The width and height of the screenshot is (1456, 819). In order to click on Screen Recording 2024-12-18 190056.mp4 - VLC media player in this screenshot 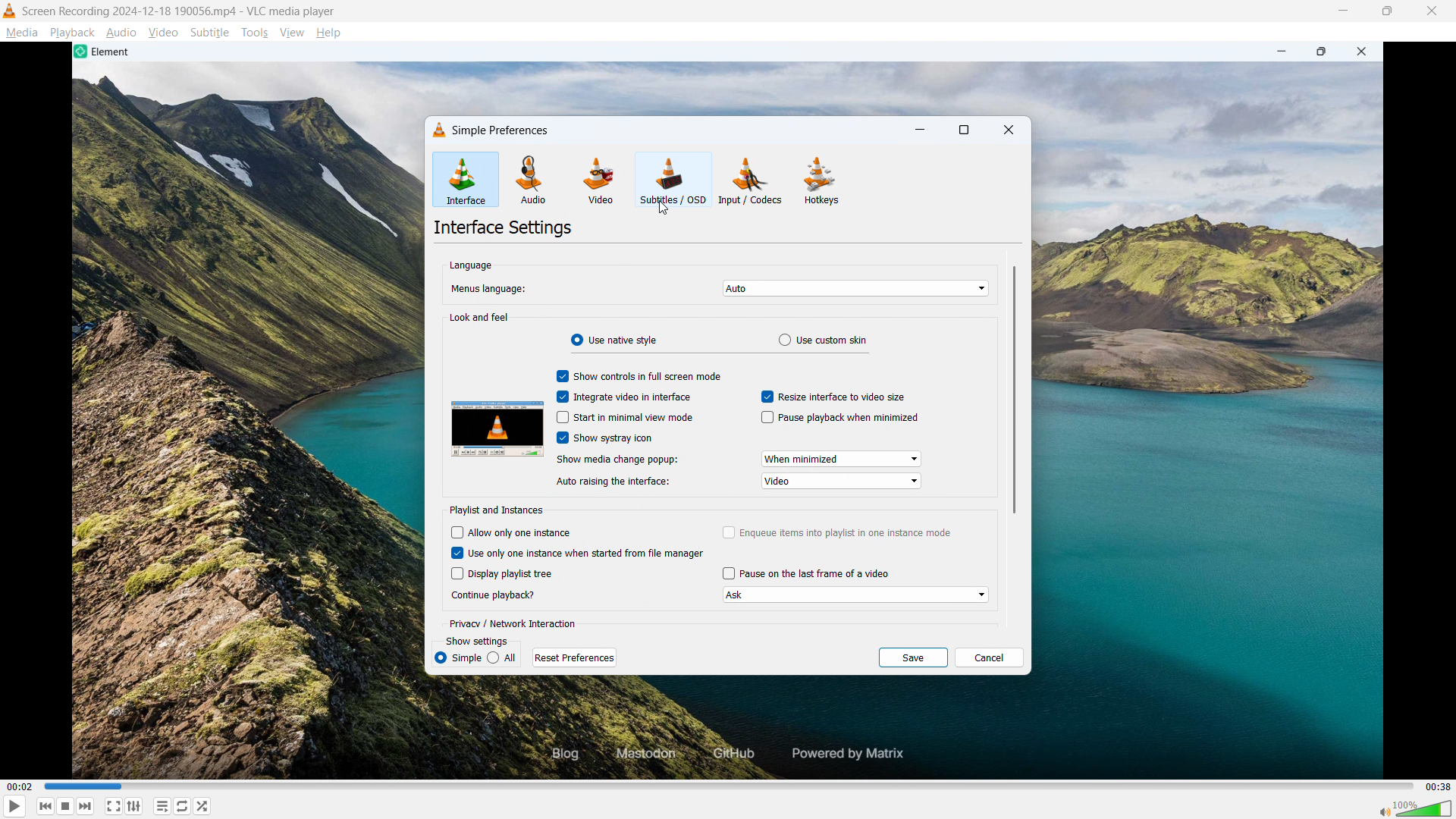, I will do `click(180, 11)`.